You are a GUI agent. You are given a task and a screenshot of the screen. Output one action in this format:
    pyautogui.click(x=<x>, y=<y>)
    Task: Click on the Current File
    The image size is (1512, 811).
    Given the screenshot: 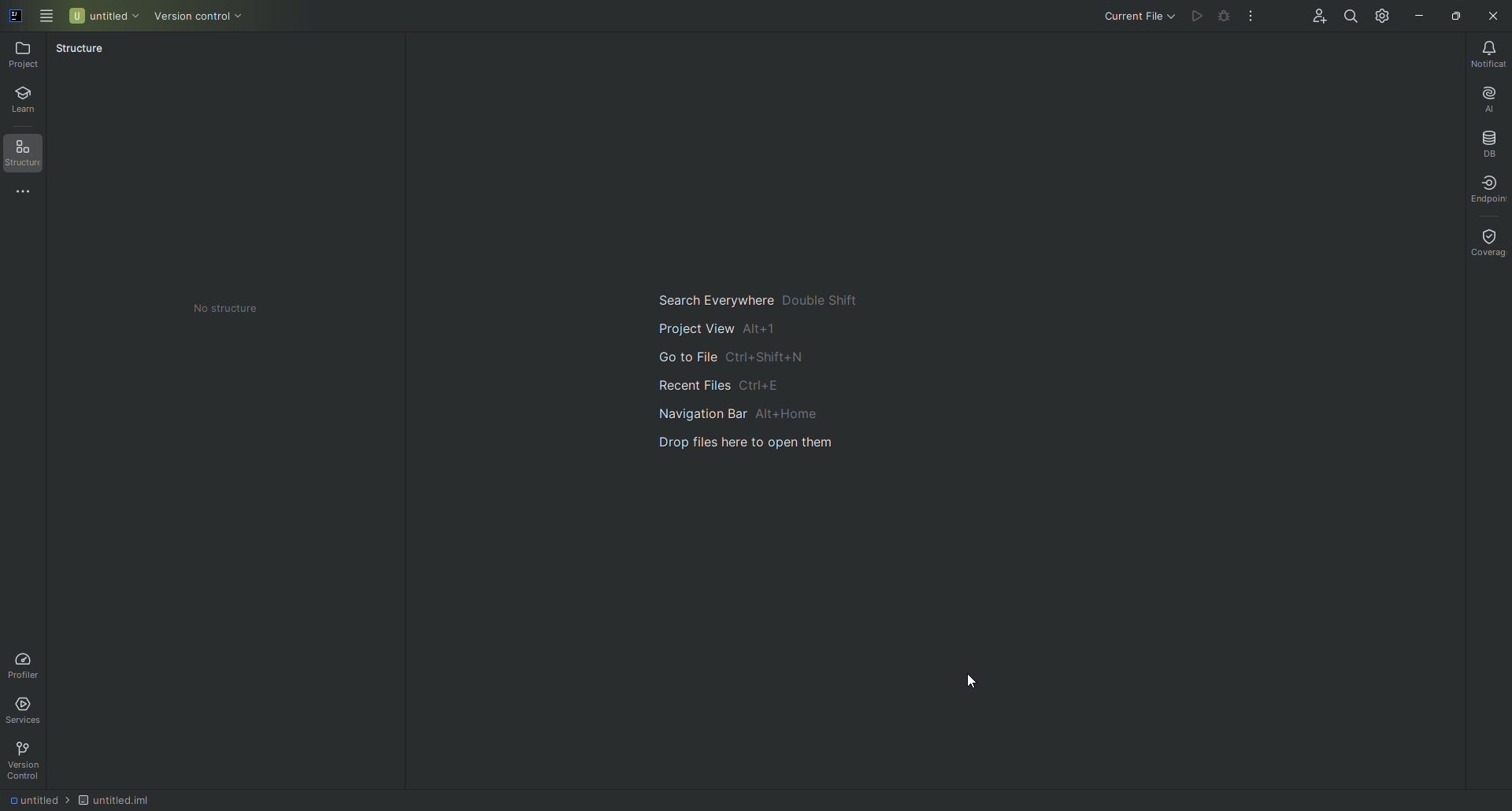 What is the action you would take?
    pyautogui.click(x=1134, y=17)
    